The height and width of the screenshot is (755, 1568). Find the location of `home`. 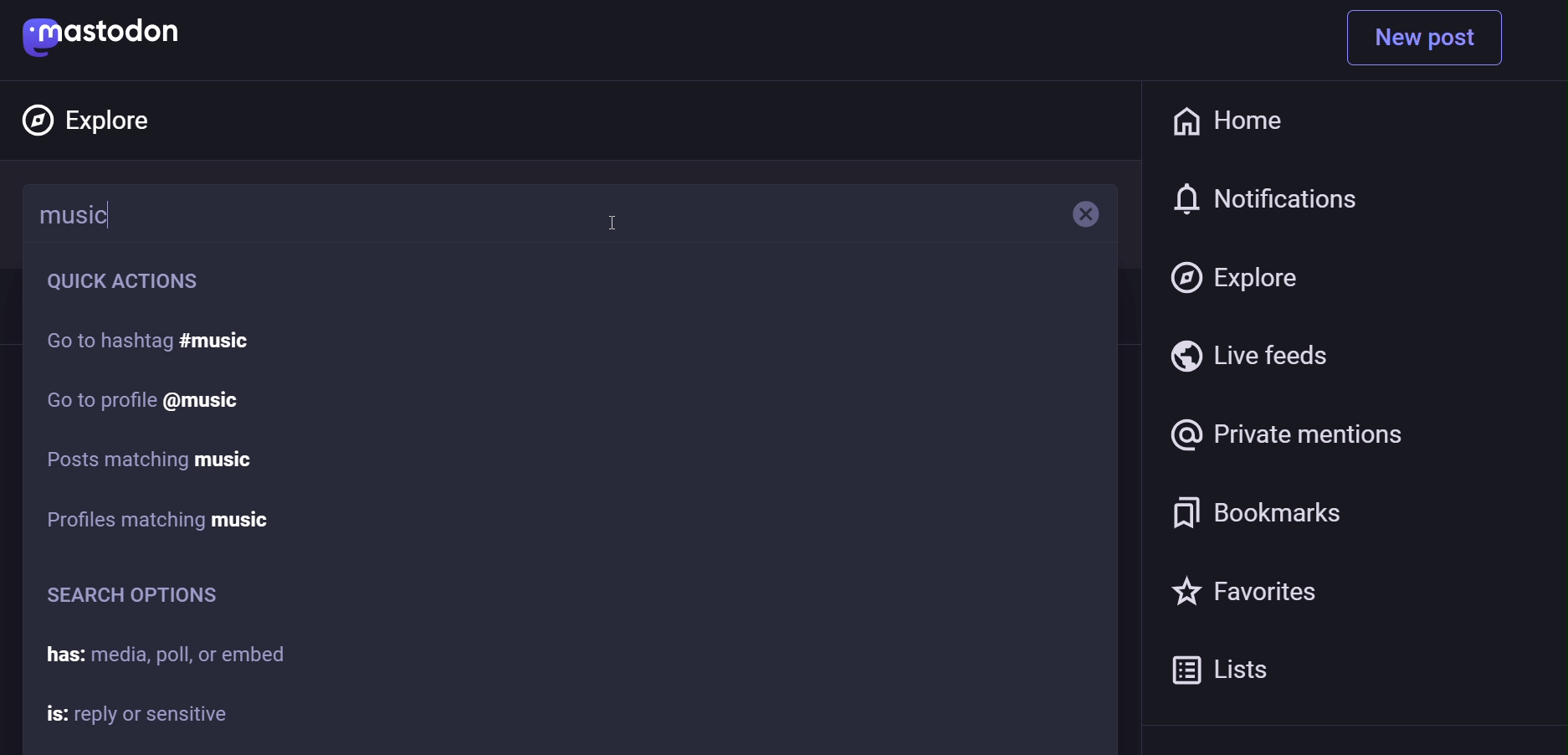

home is located at coordinates (1226, 122).